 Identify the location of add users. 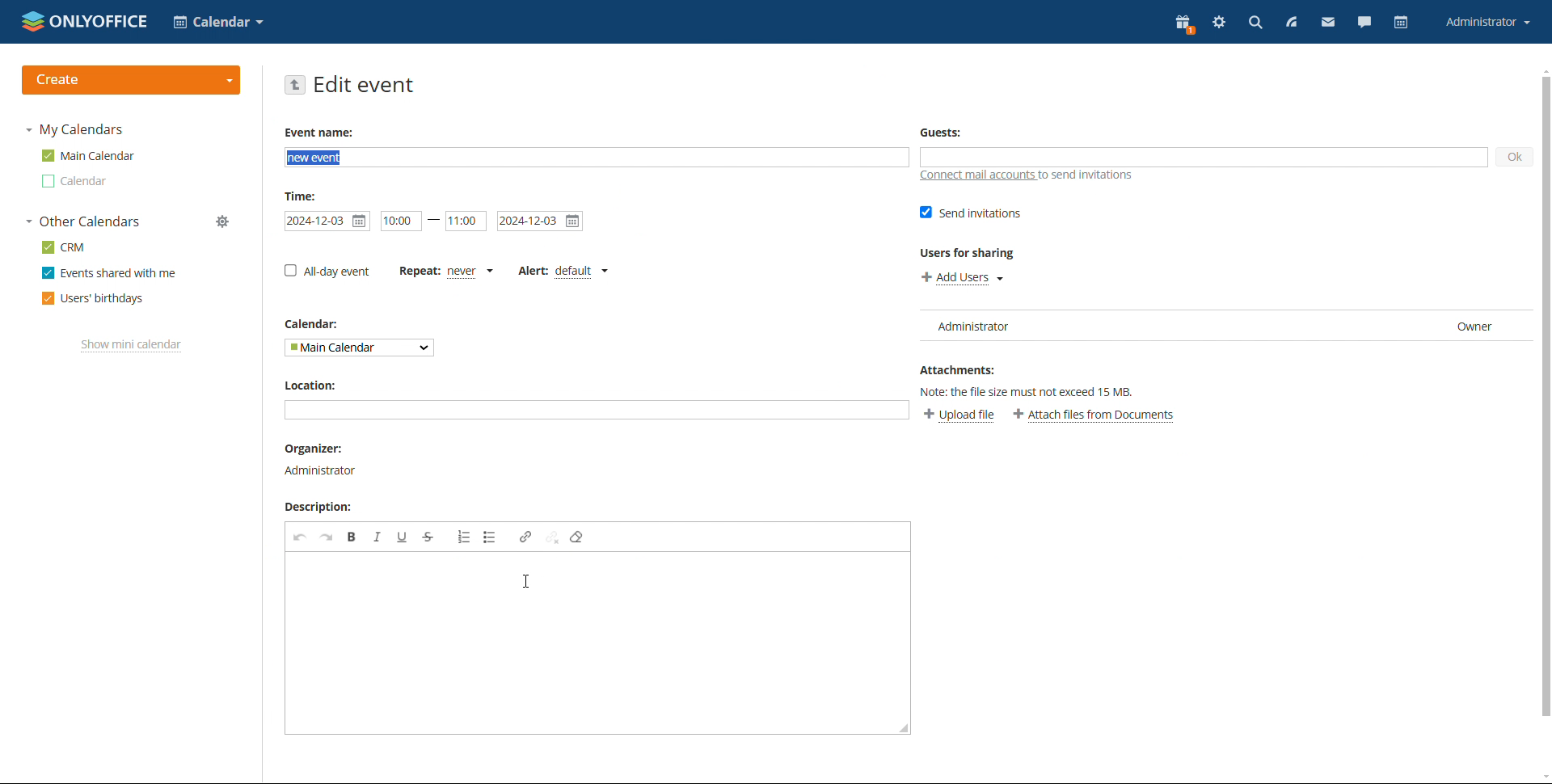
(963, 278).